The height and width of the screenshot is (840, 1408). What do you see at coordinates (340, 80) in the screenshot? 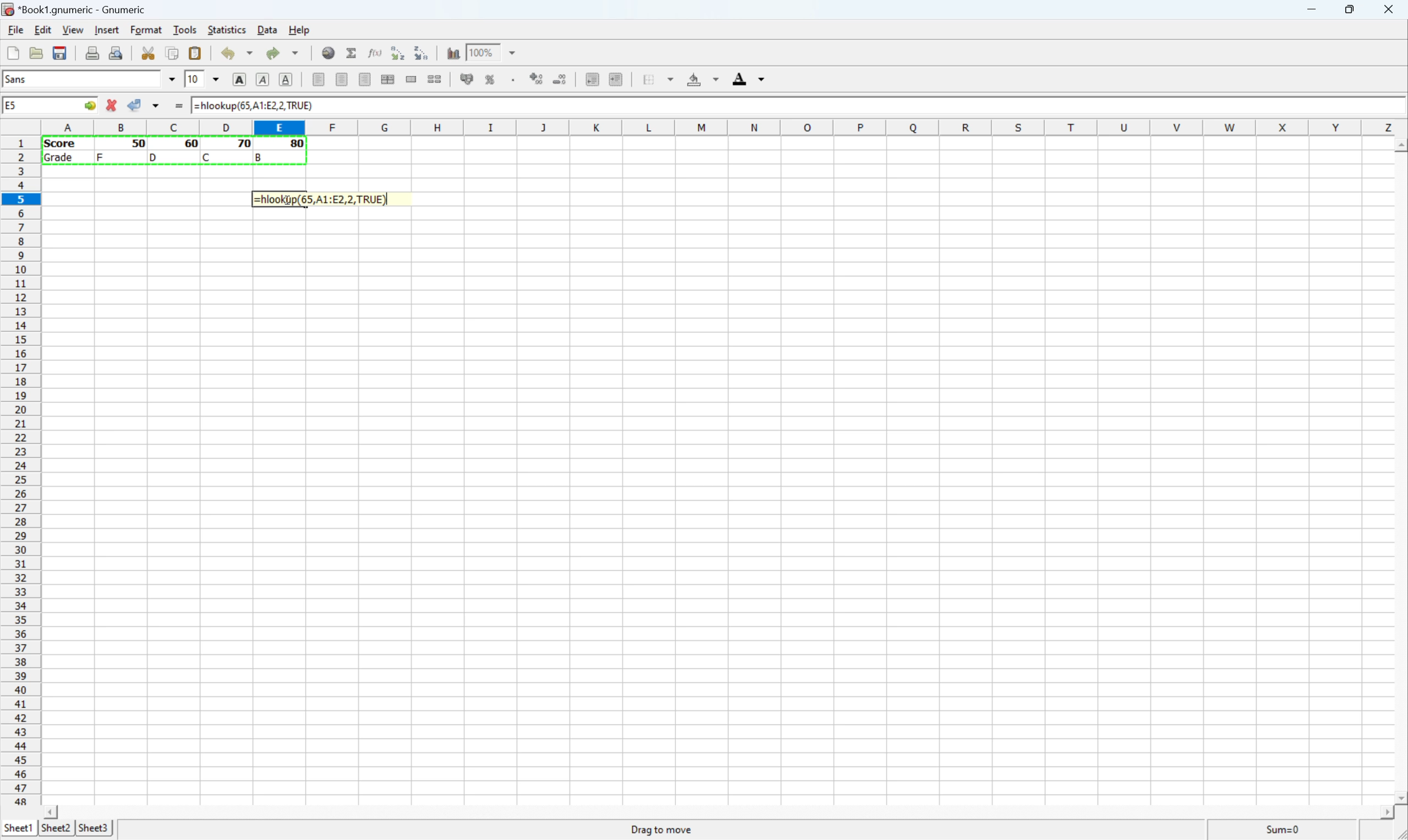
I see `Center Horizontally` at bounding box center [340, 80].